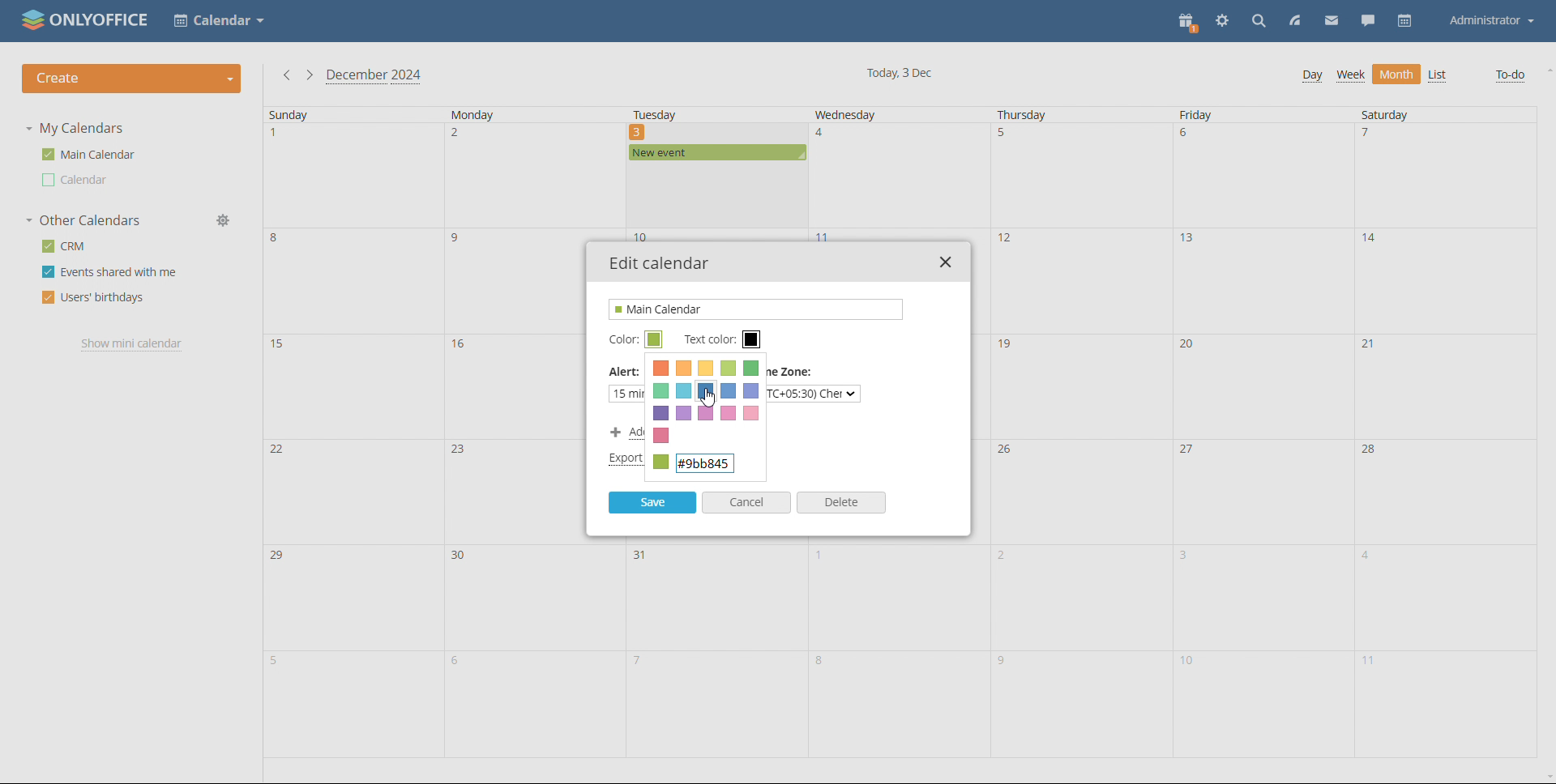 This screenshot has height=784, width=1556. What do you see at coordinates (1511, 76) in the screenshot?
I see `to-do` at bounding box center [1511, 76].